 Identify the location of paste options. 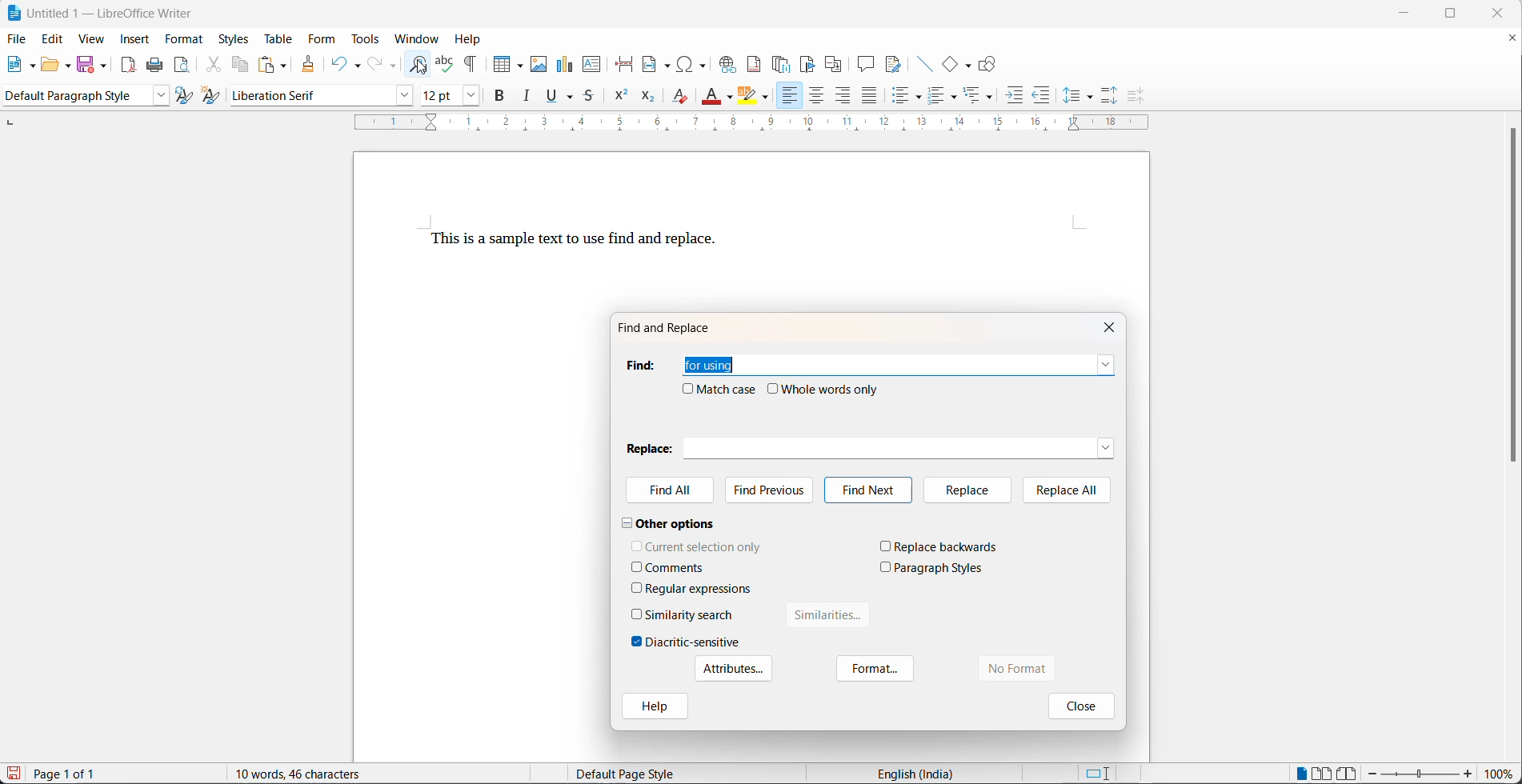
(285, 64).